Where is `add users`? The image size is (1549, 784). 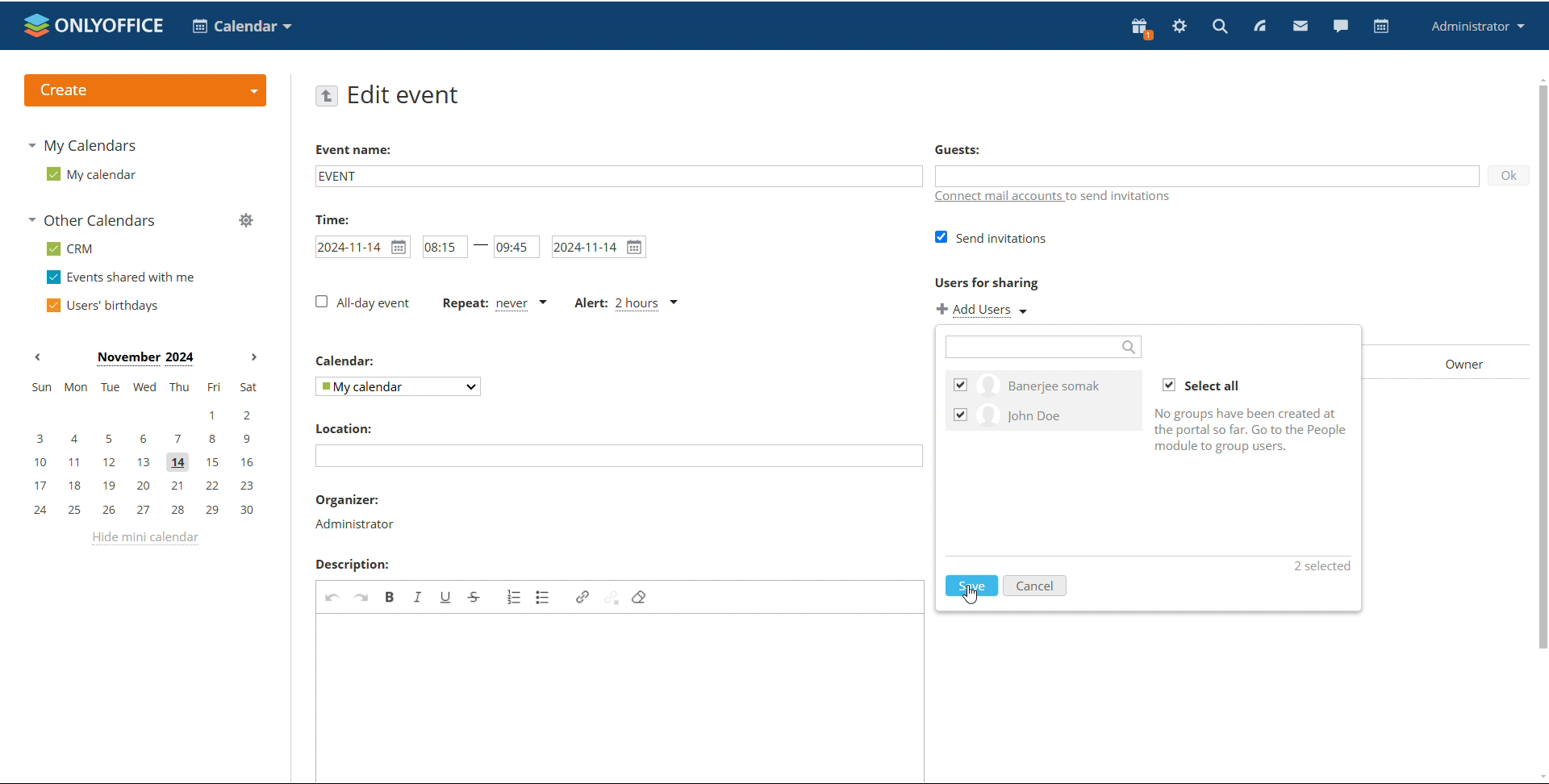 add users is located at coordinates (983, 311).